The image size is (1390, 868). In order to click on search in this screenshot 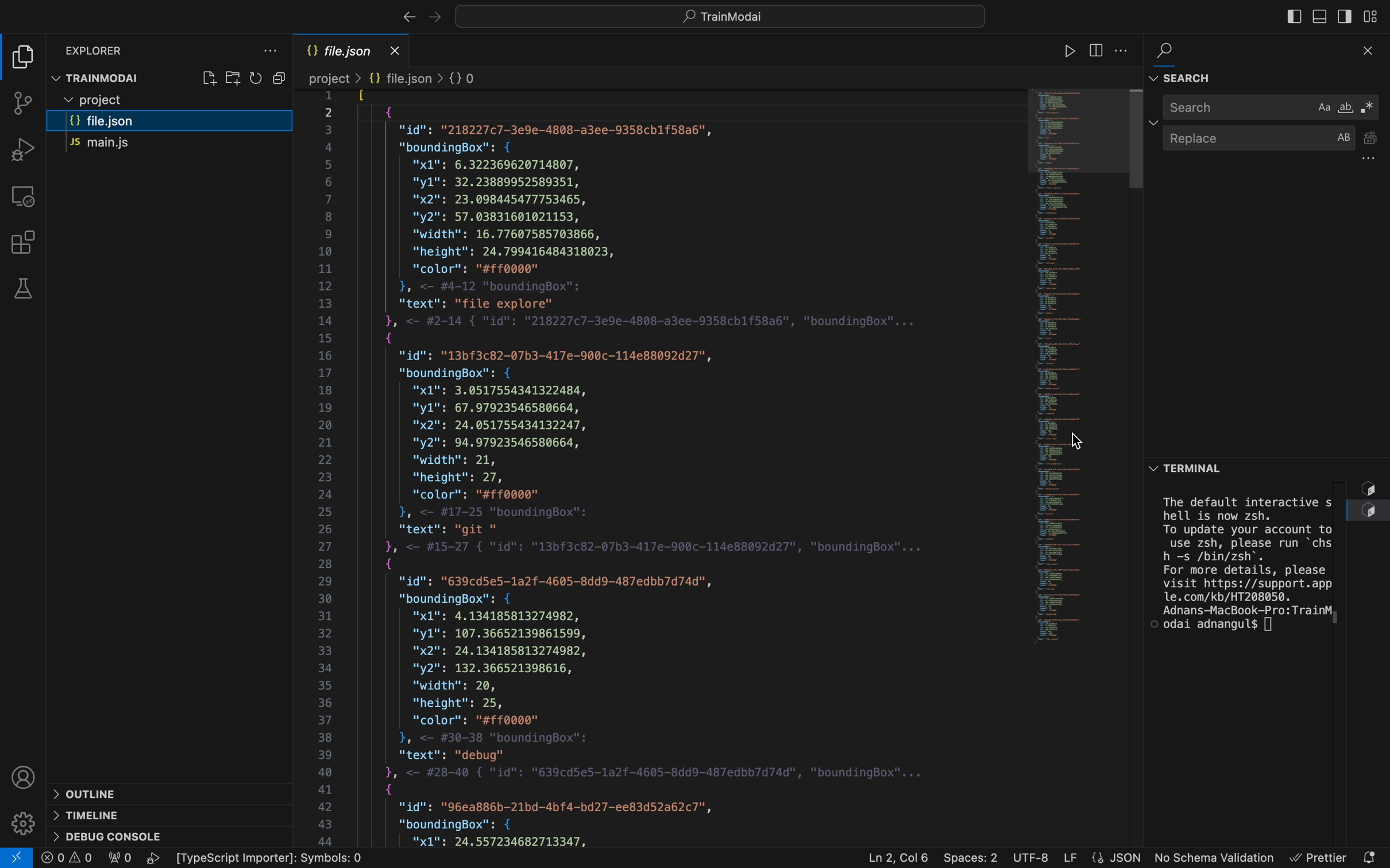, I will do `click(1187, 41)`.